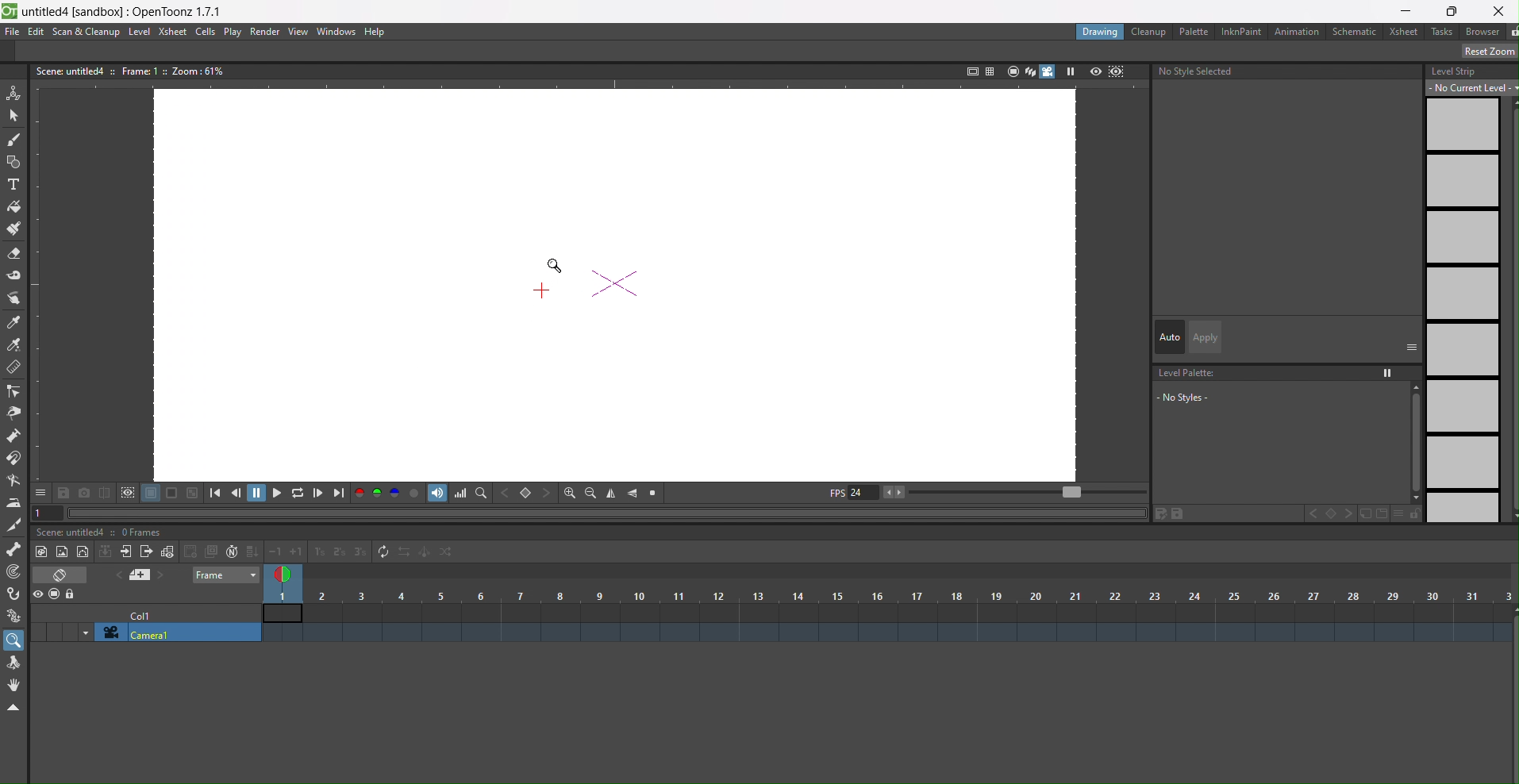 This screenshot has width=1519, height=784. I want to click on , so click(395, 493).